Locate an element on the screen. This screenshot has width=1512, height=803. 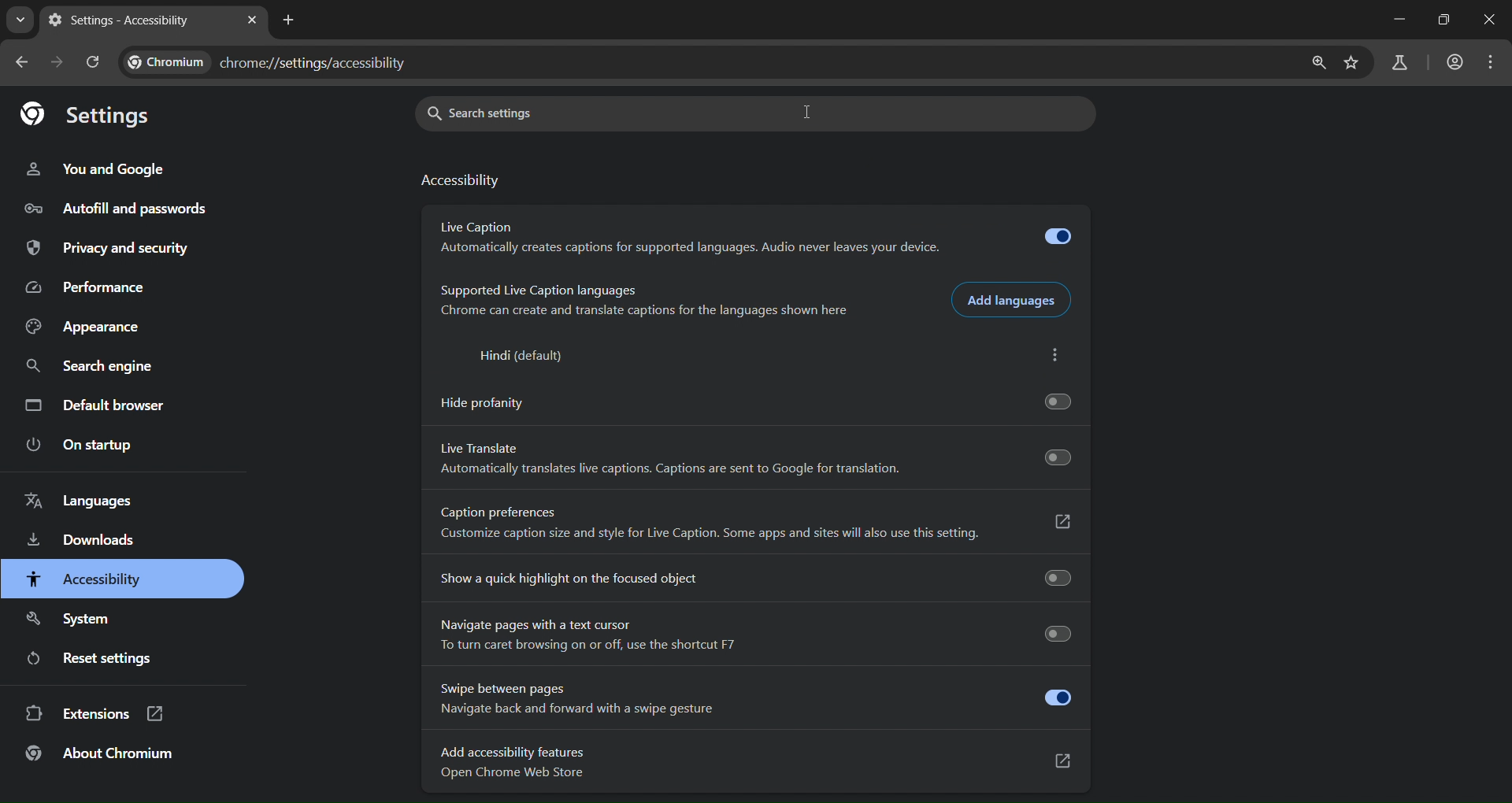
reload page is located at coordinates (91, 60).